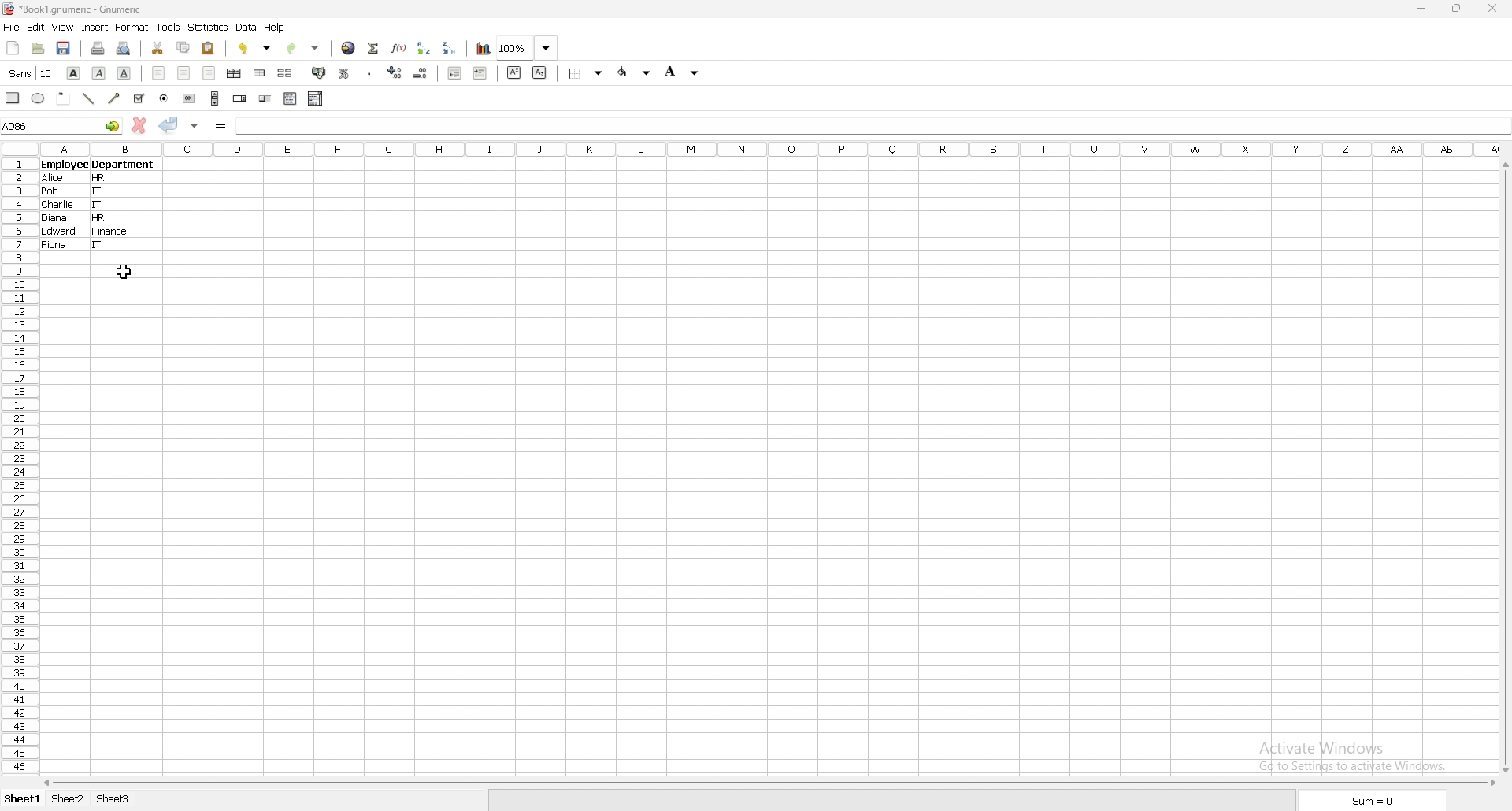 This screenshot has height=811, width=1512. Describe the element at coordinates (424, 48) in the screenshot. I see `sort ascending` at that location.